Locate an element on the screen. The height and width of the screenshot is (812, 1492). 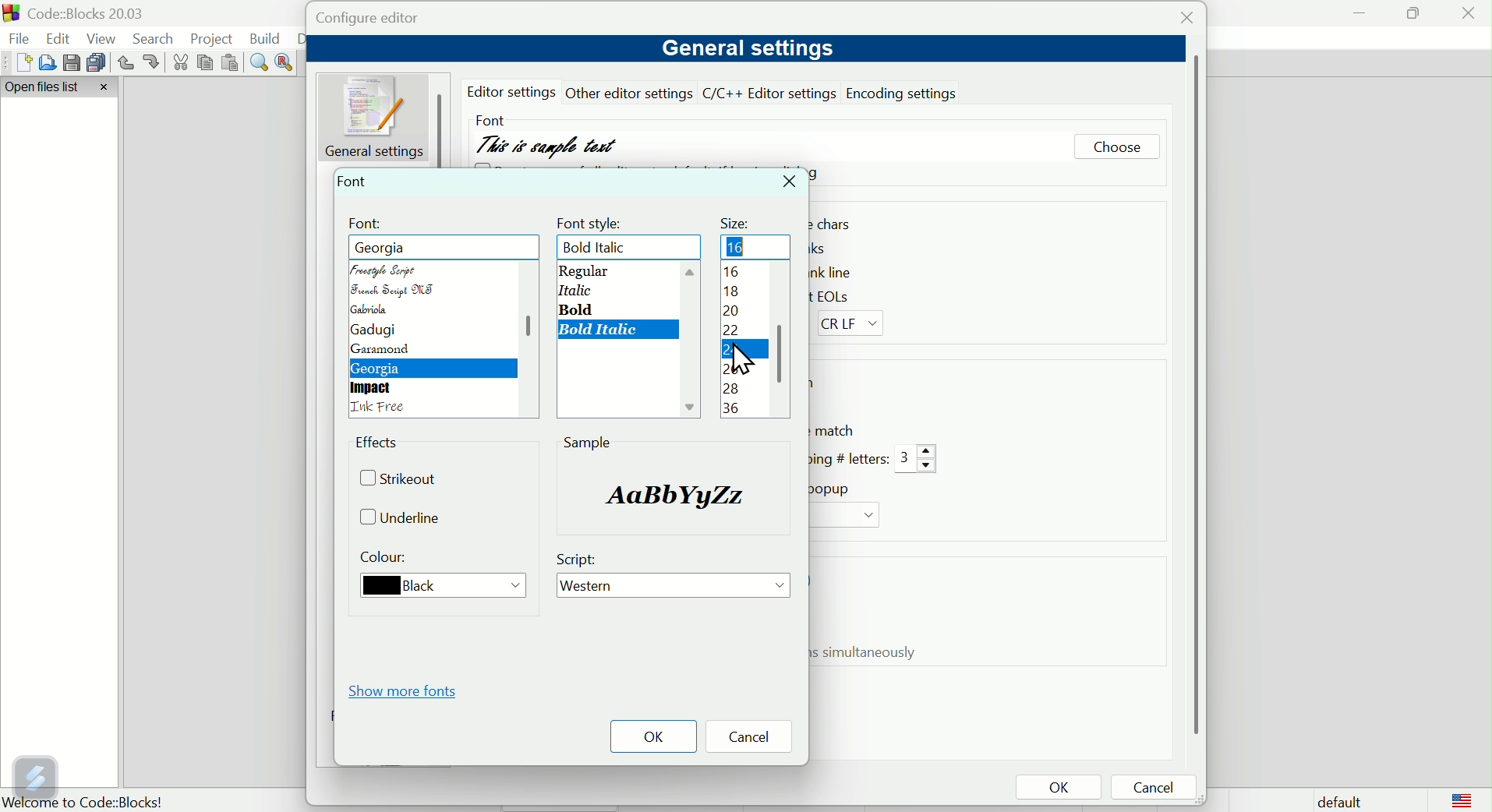
Encoding settings is located at coordinates (905, 92).